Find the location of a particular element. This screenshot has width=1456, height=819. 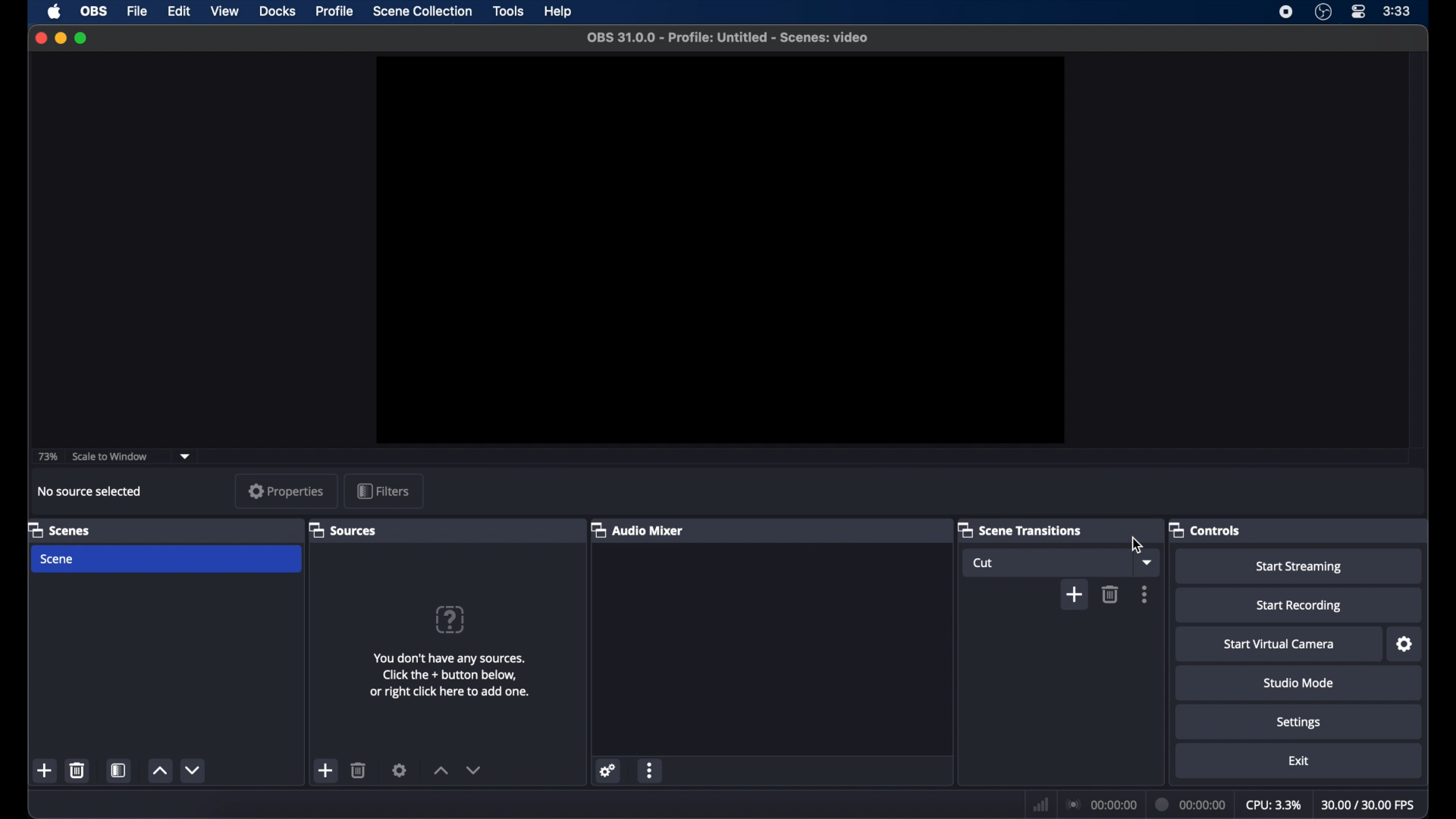

file is located at coordinates (138, 11).